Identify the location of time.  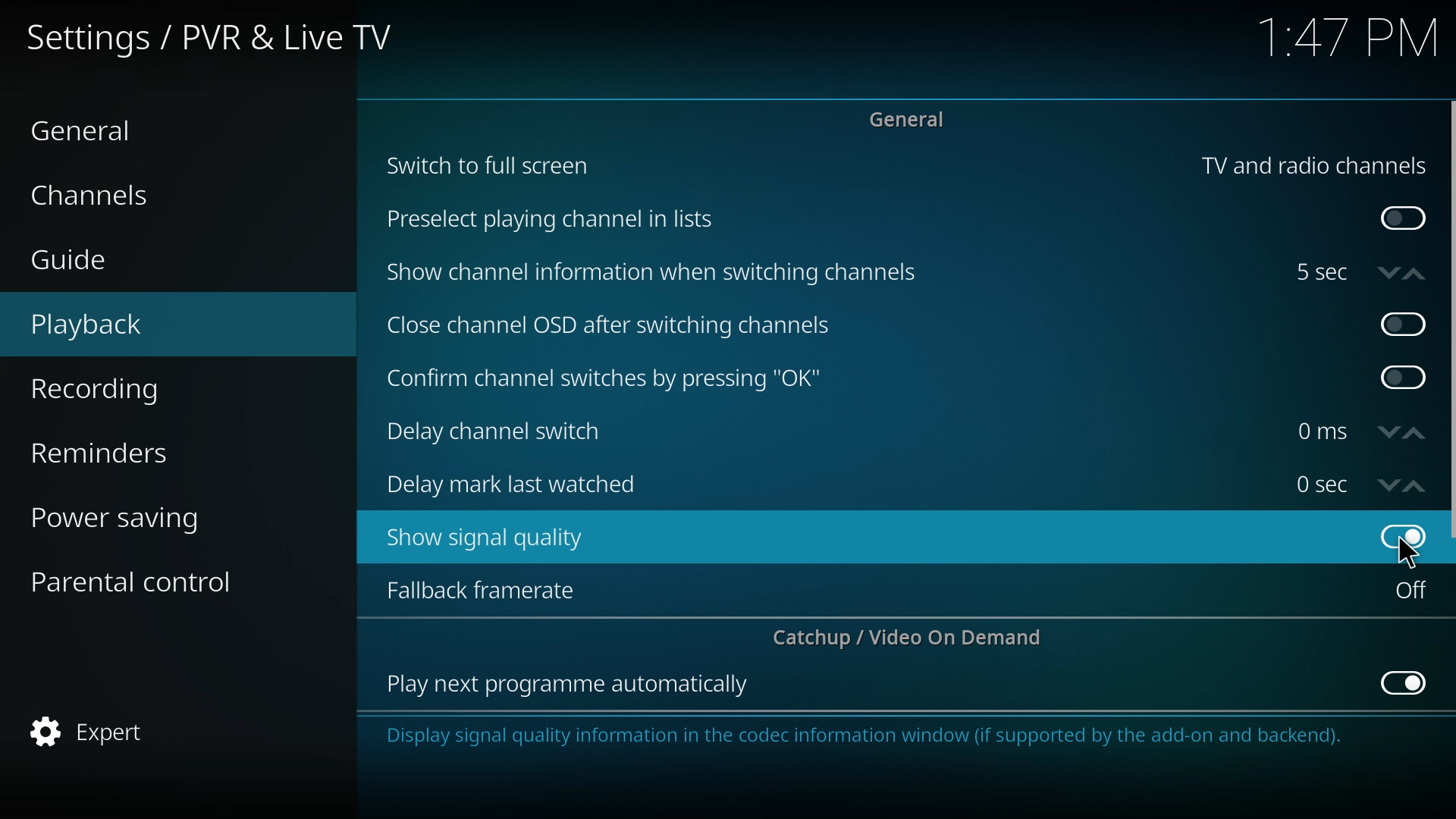
(1322, 431).